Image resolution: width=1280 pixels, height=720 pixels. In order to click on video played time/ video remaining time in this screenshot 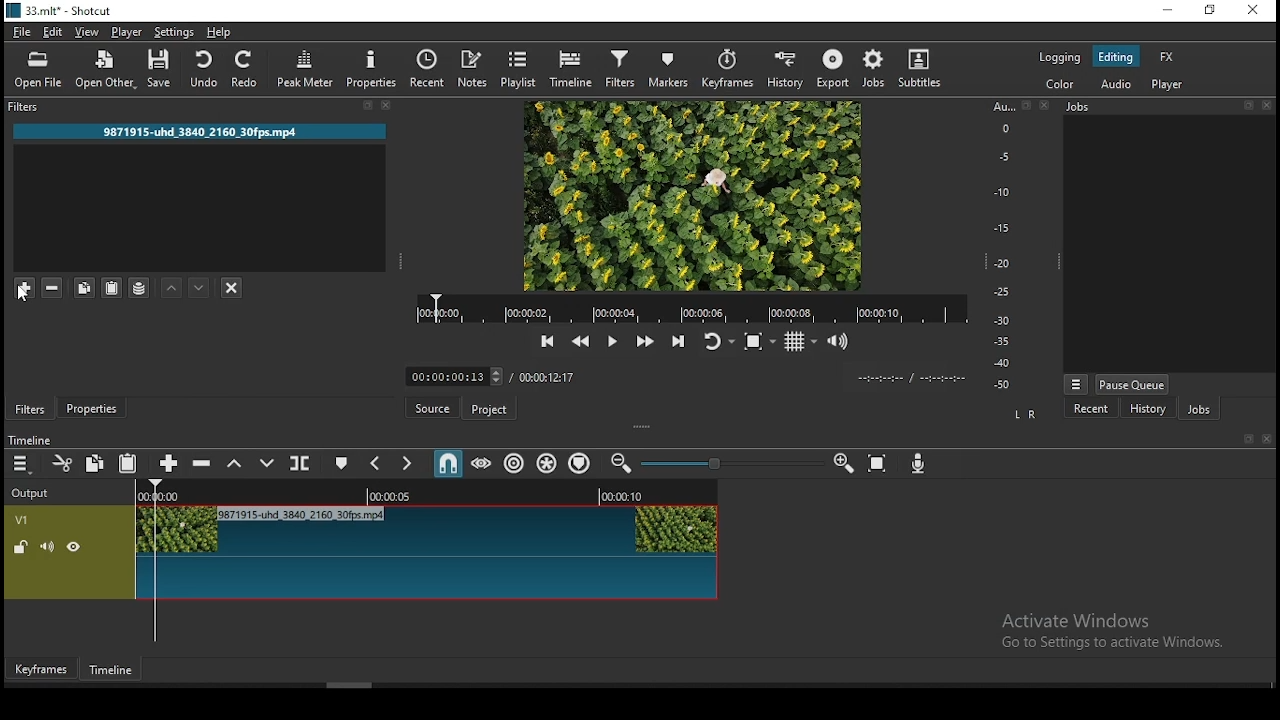, I will do `click(888, 377)`.